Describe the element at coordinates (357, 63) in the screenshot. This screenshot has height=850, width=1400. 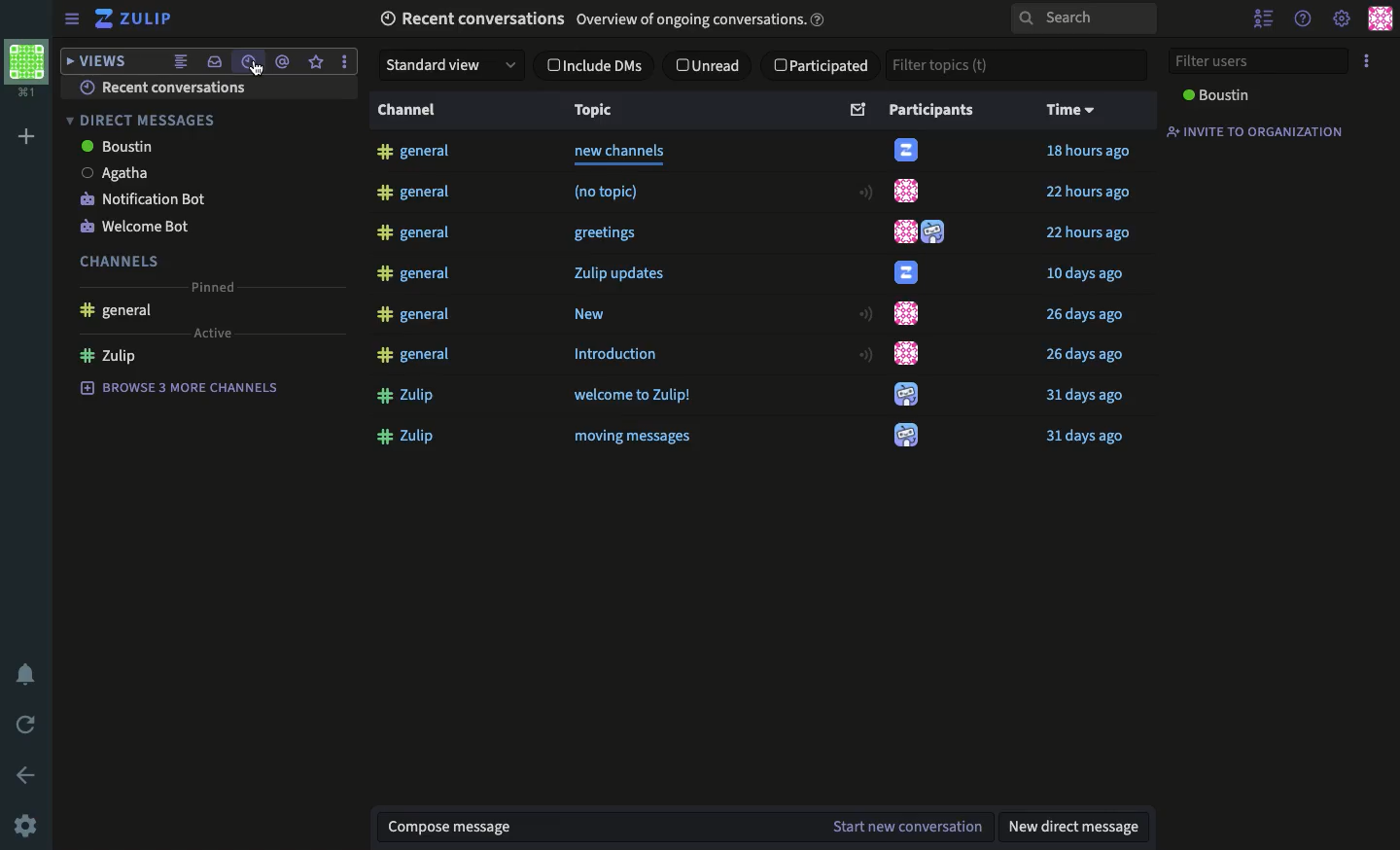
I see `More Options` at that location.